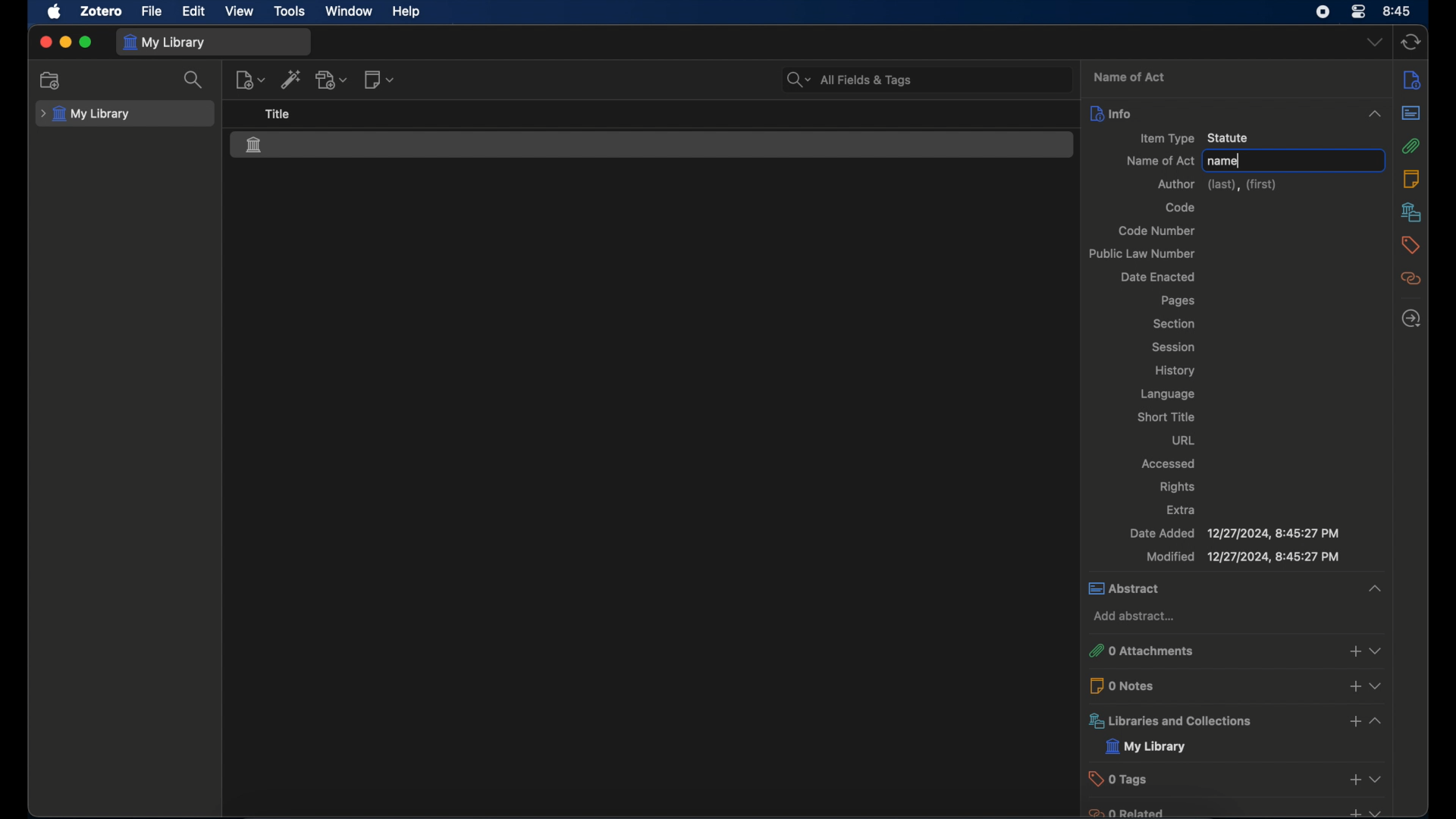  I want to click on 0 notes, so click(1211, 686).